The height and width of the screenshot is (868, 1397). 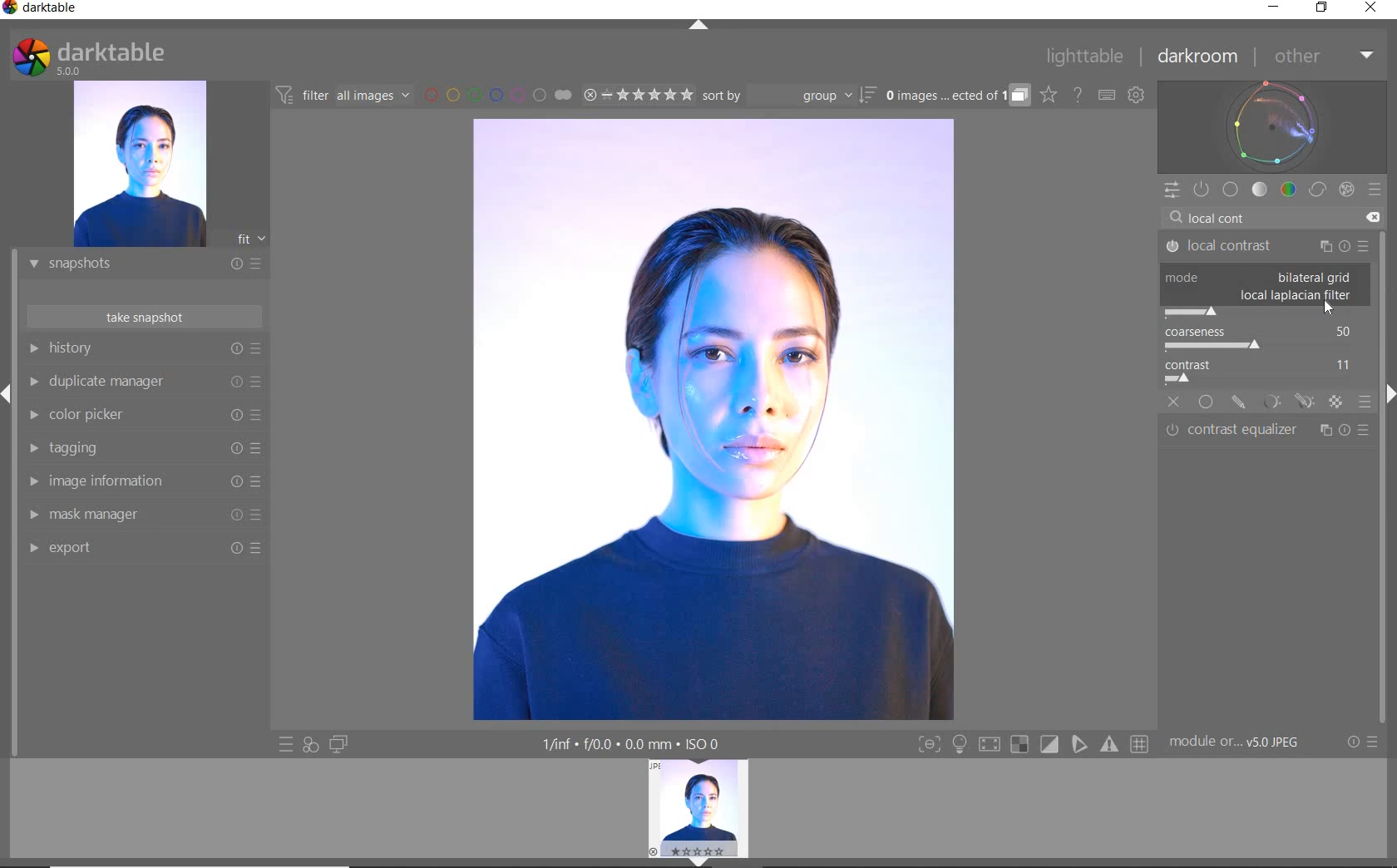 What do you see at coordinates (1265, 372) in the screenshot?
I see `contrast` at bounding box center [1265, 372].